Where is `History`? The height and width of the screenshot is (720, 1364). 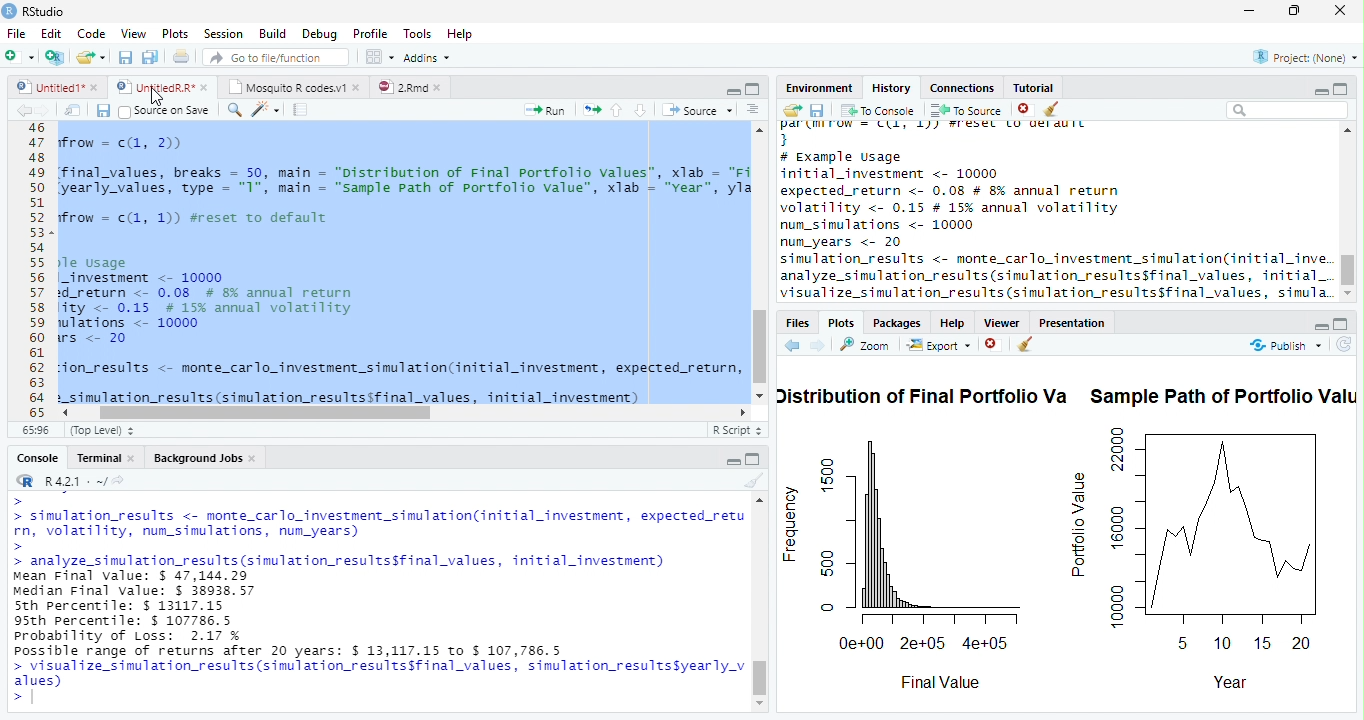
History is located at coordinates (1057, 213).